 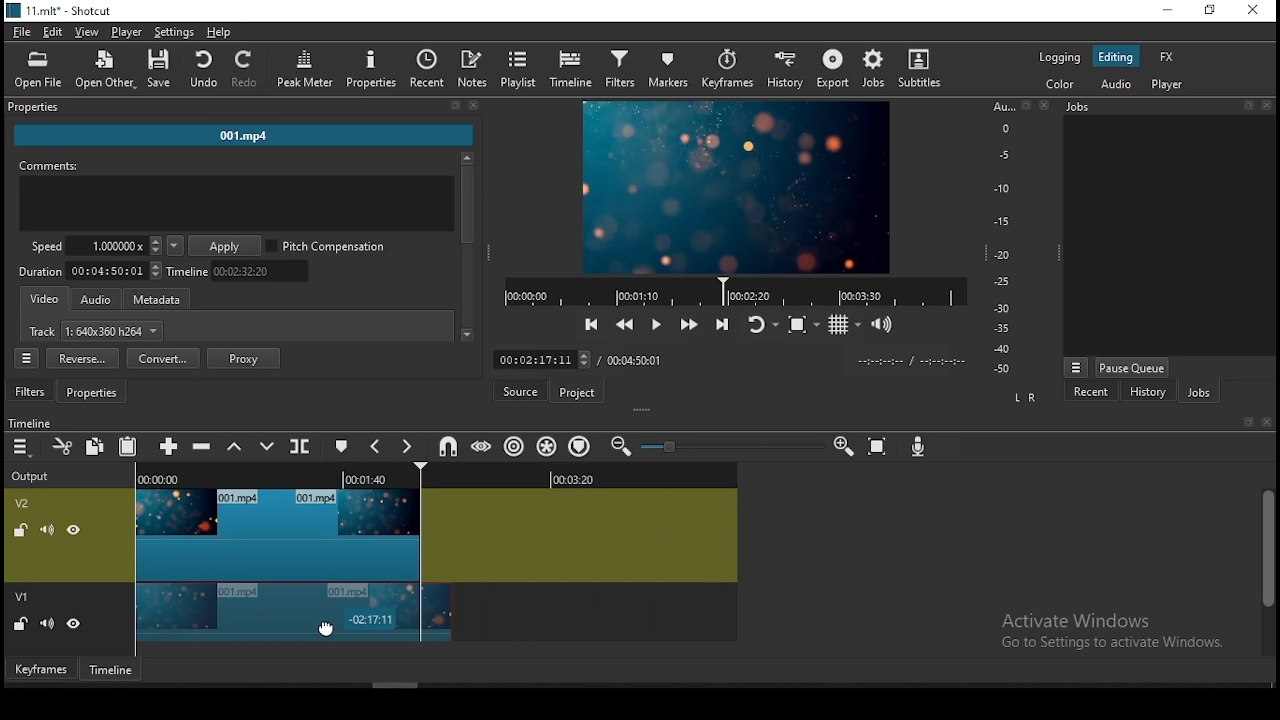 I want to click on video, so click(x=46, y=300).